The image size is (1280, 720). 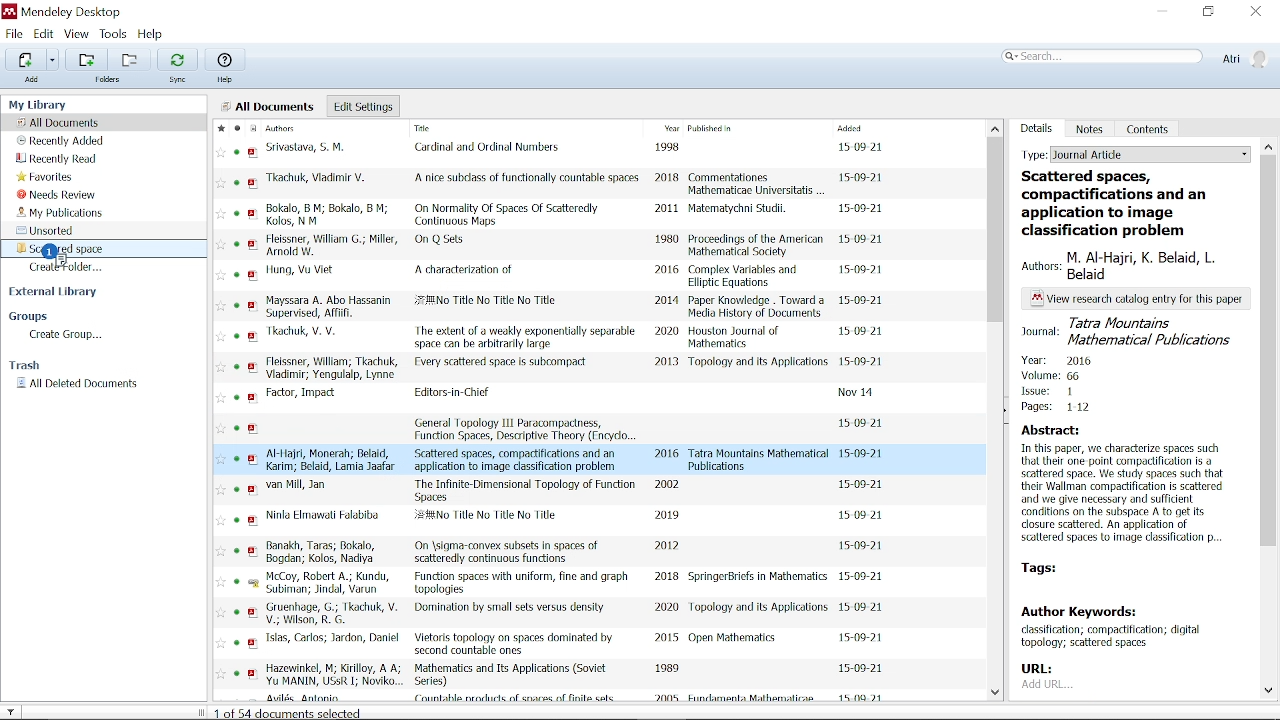 What do you see at coordinates (1090, 129) in the screenshot?
I see `Notes` at bounding box center [1090, 129].